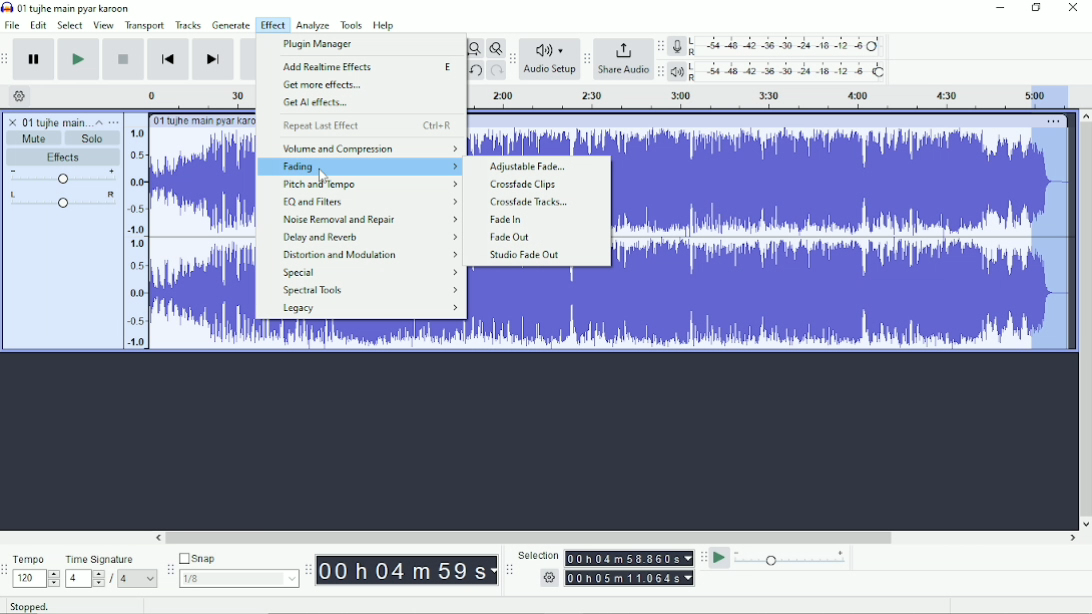 Image resolution: width=1092 pixels, height=614 pixels. What do you see at coordinates (528, 166) in the screenshot?
I see `Adjustable Fade` at bounding box center [528, 166].